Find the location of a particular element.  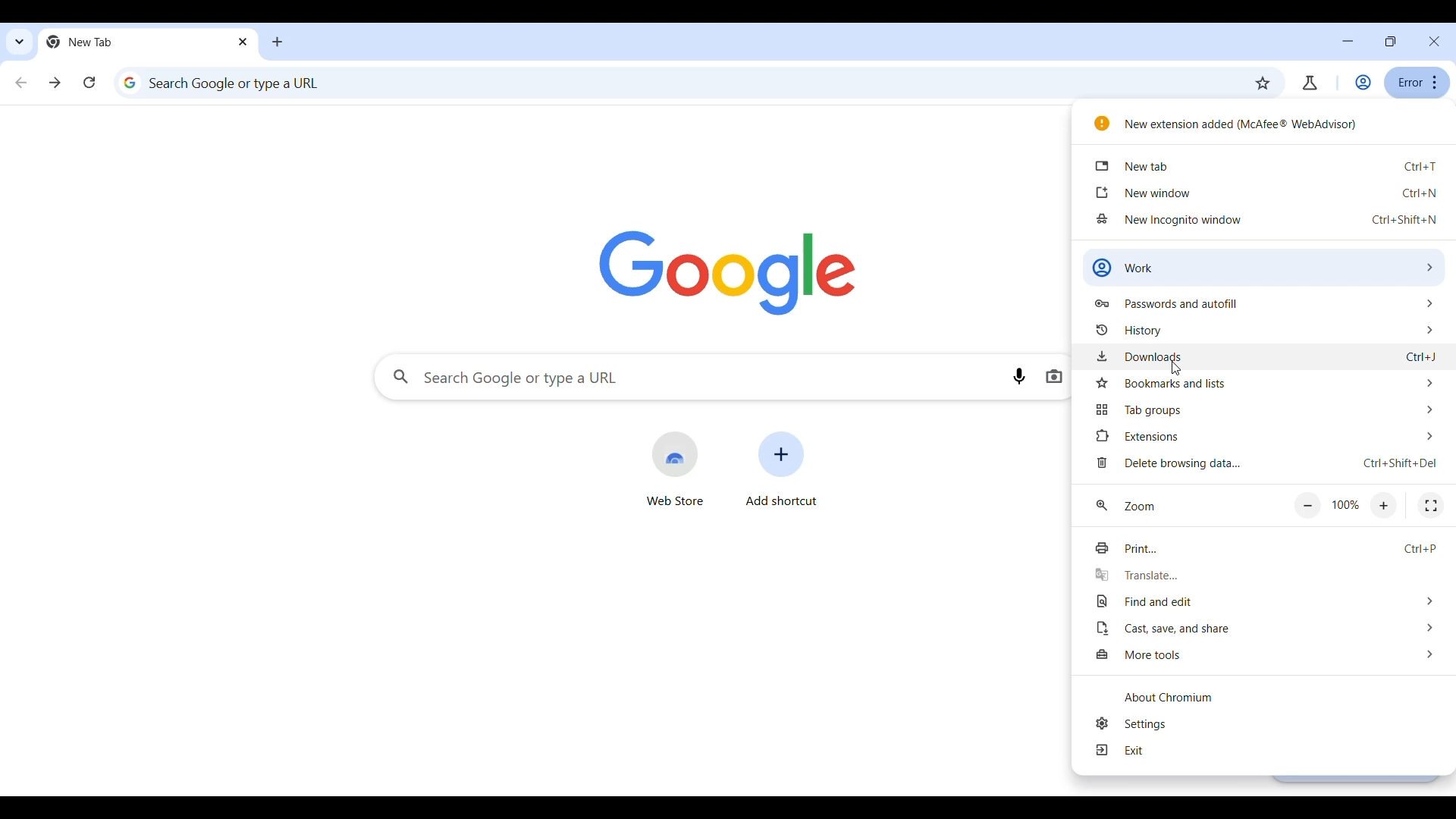

new incognito window  is located at coordinates (1266, 219).